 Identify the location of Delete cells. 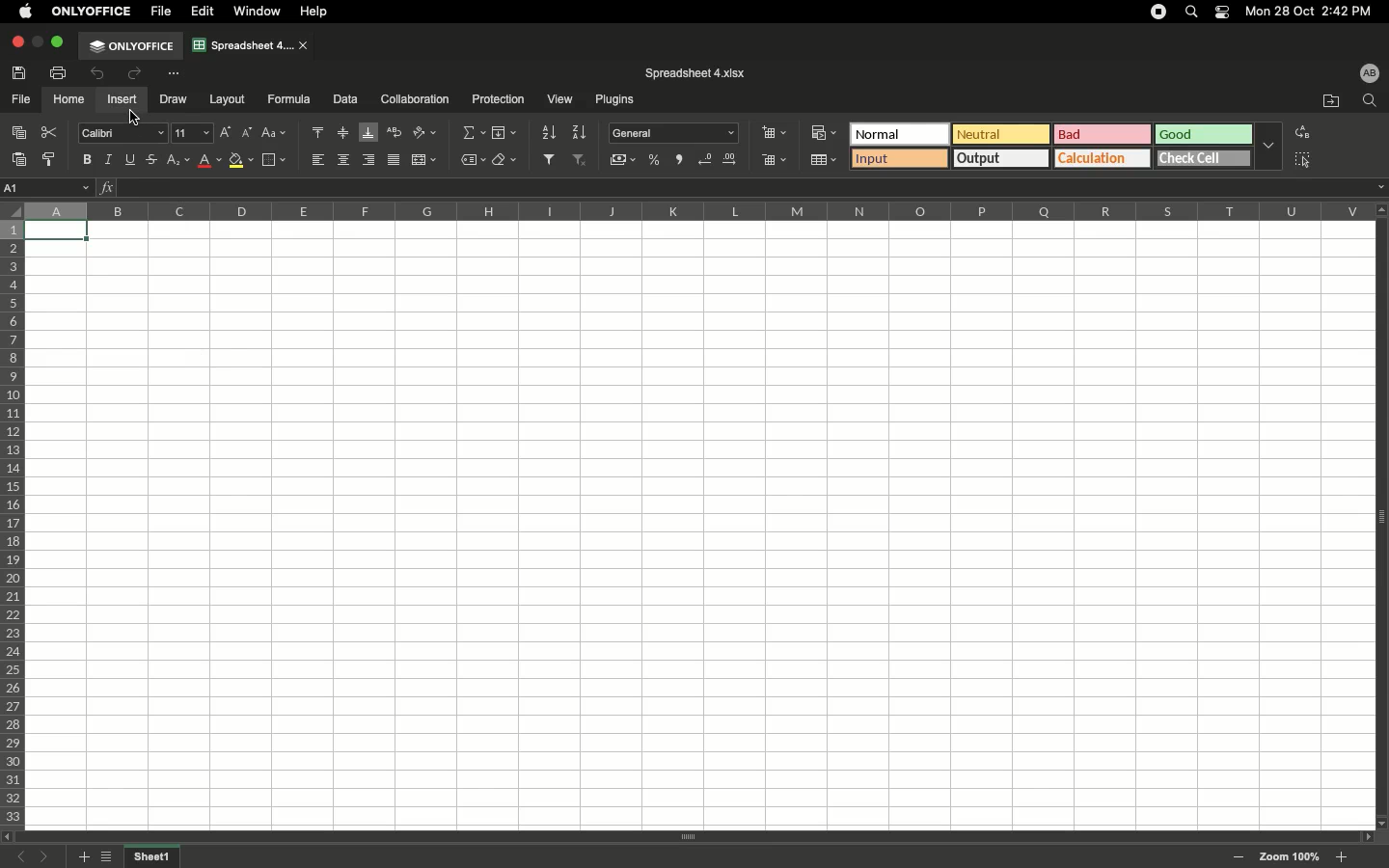
(775, 159).